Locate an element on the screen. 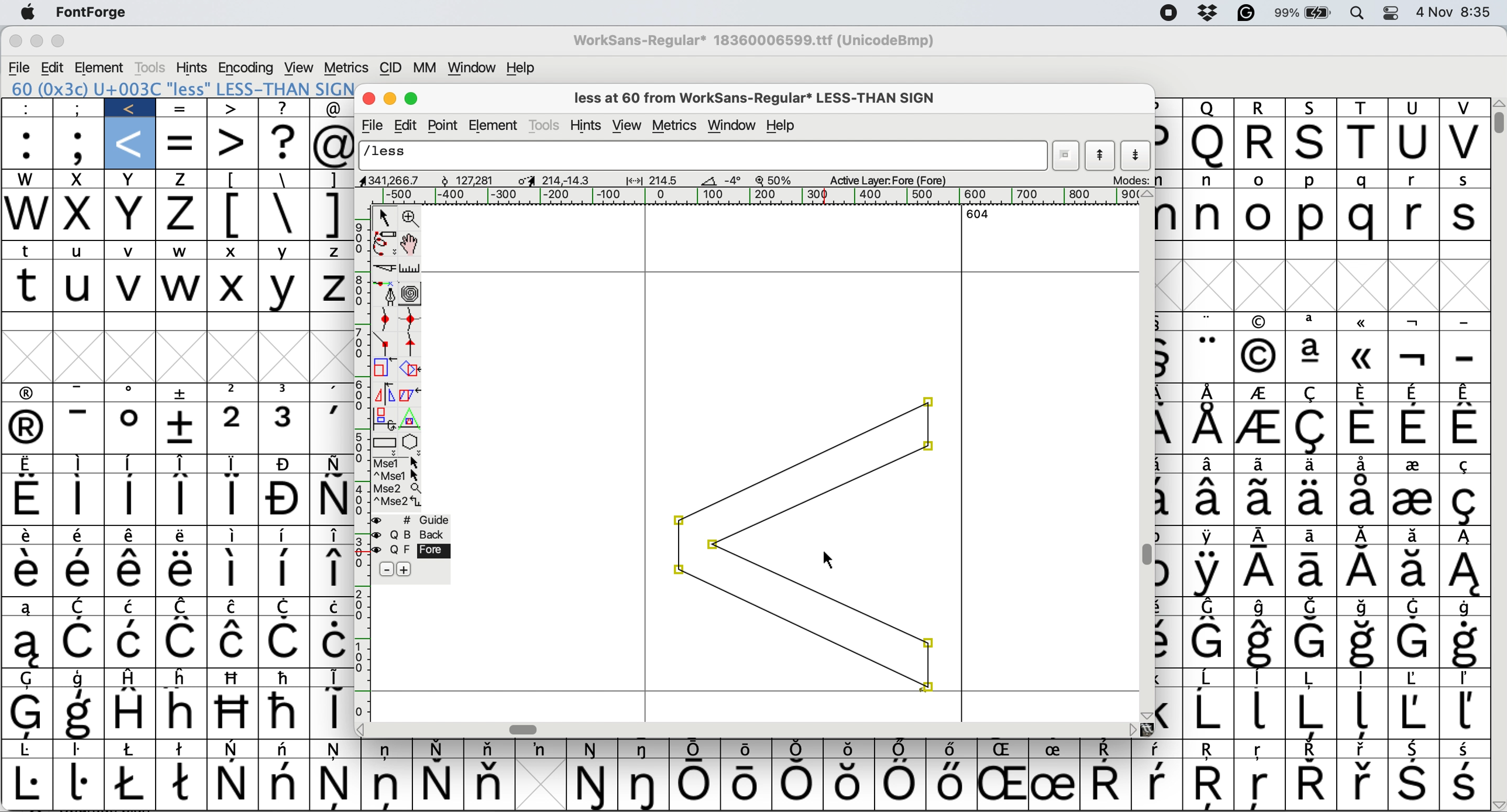  Symbol is located at coordinates (329, 570).